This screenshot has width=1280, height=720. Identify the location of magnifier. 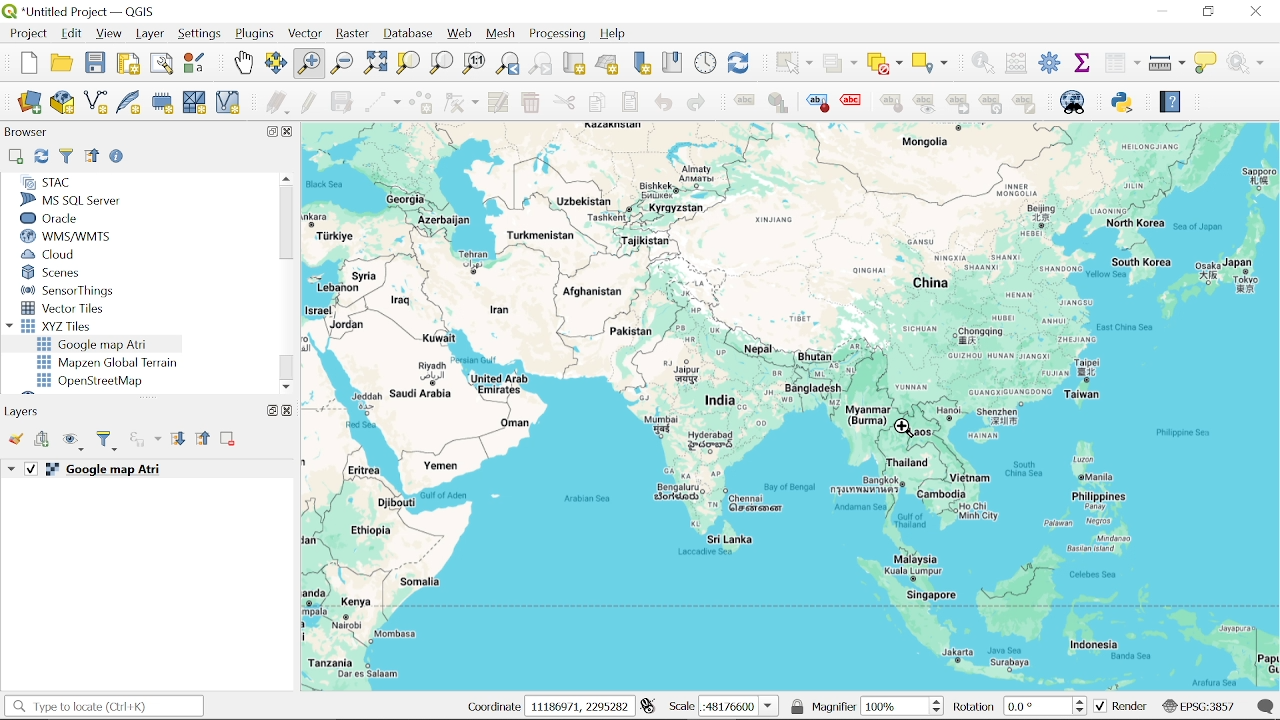
(834, 706).